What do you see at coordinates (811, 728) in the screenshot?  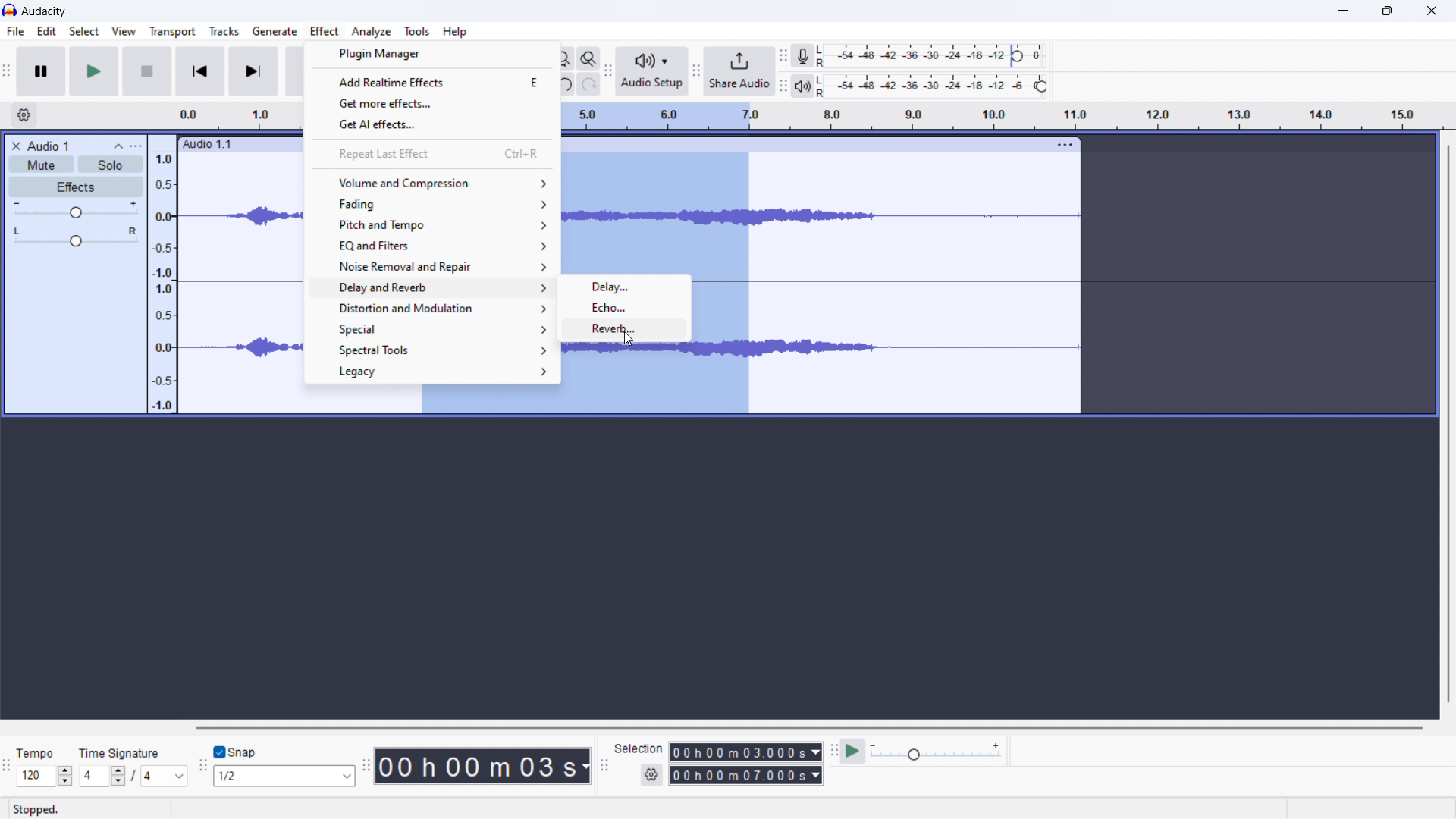 I see `horizontal scrollbar` at bounding box center [811, 728].